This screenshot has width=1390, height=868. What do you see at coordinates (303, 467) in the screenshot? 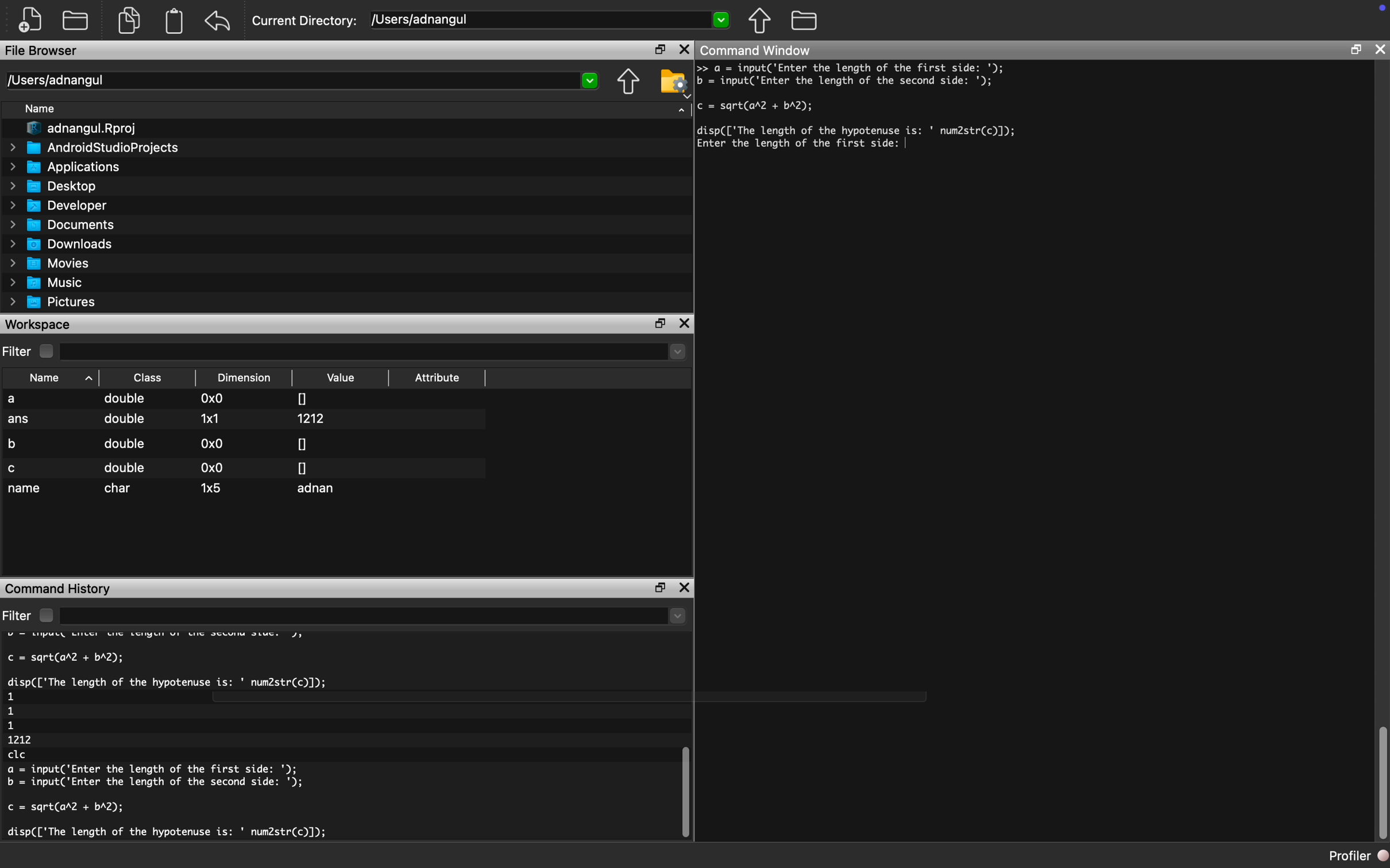
I see `0` at bounding box center [303, 467].